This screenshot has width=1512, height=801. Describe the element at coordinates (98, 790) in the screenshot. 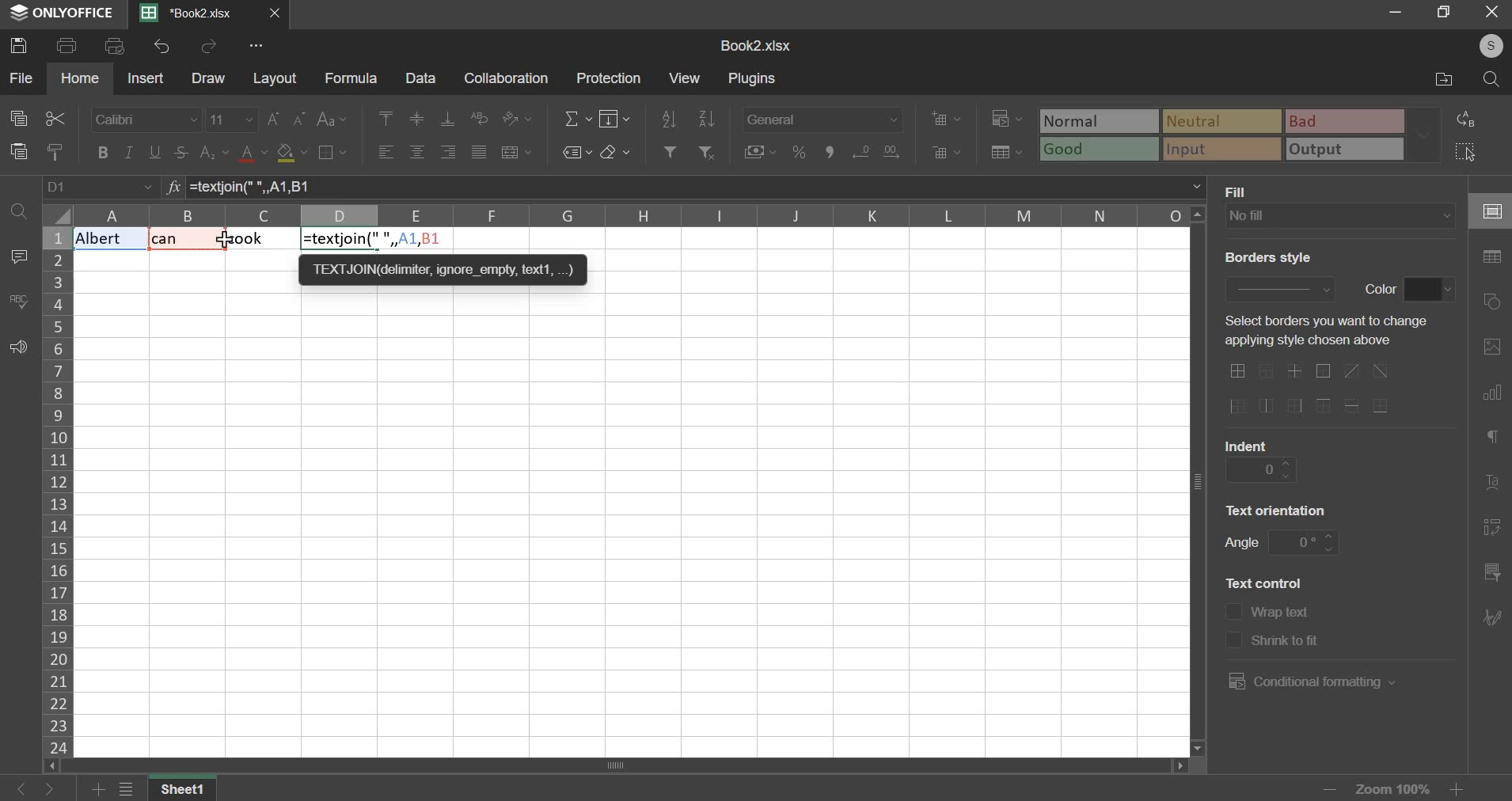

I see `add sheets` at that location.